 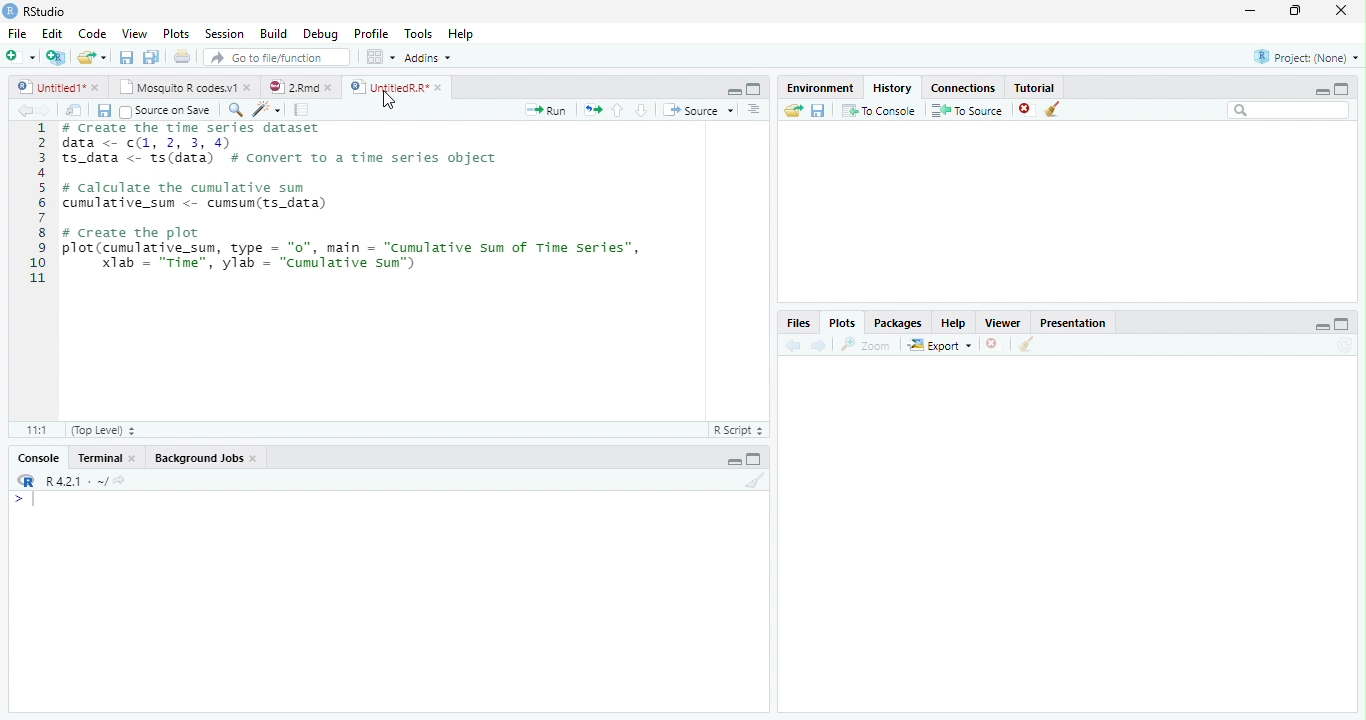 I want to click on workspace panes, so click(x=381, y=61).